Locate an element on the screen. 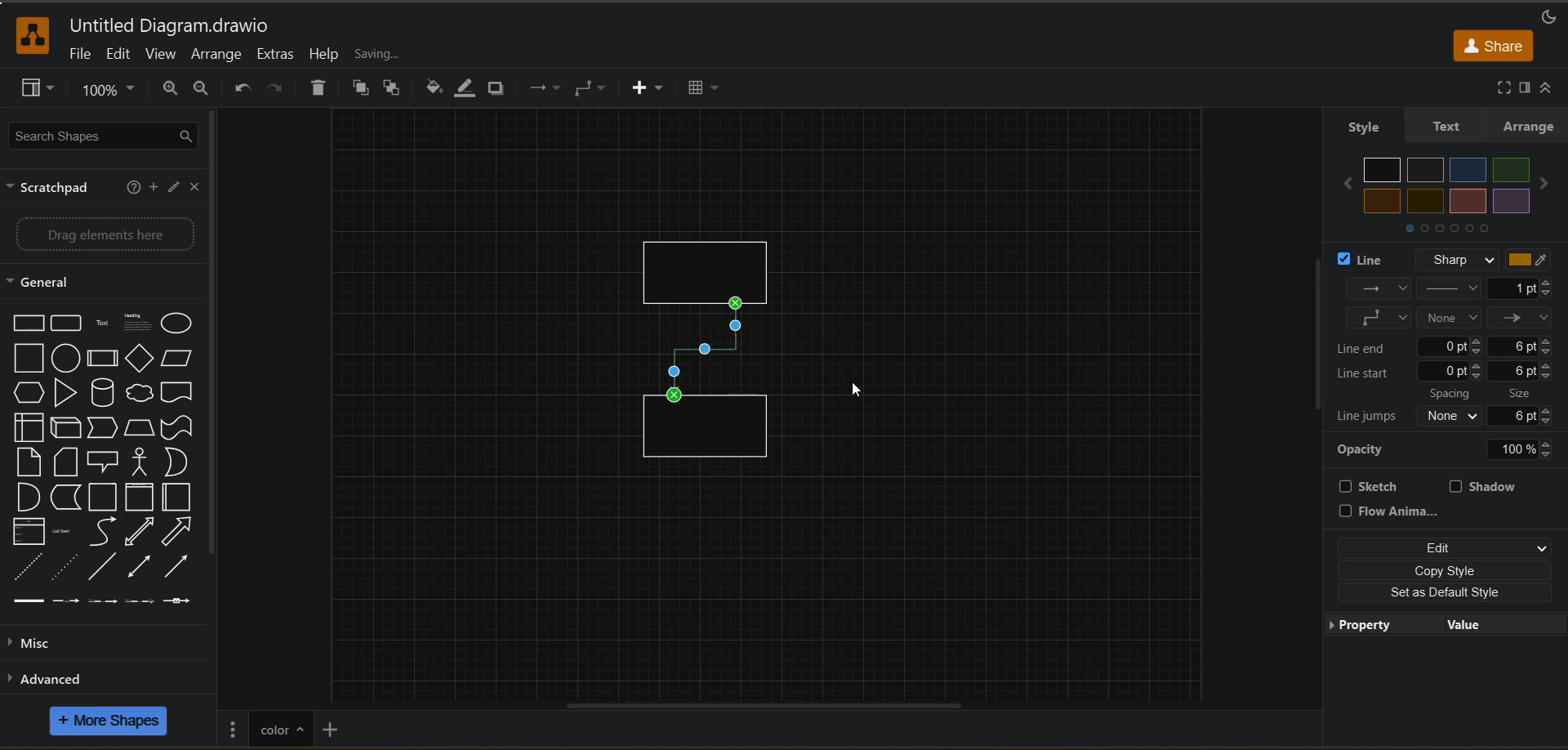 This screenshot has height=750, width=1568. general is located at coordinates (53, 283).